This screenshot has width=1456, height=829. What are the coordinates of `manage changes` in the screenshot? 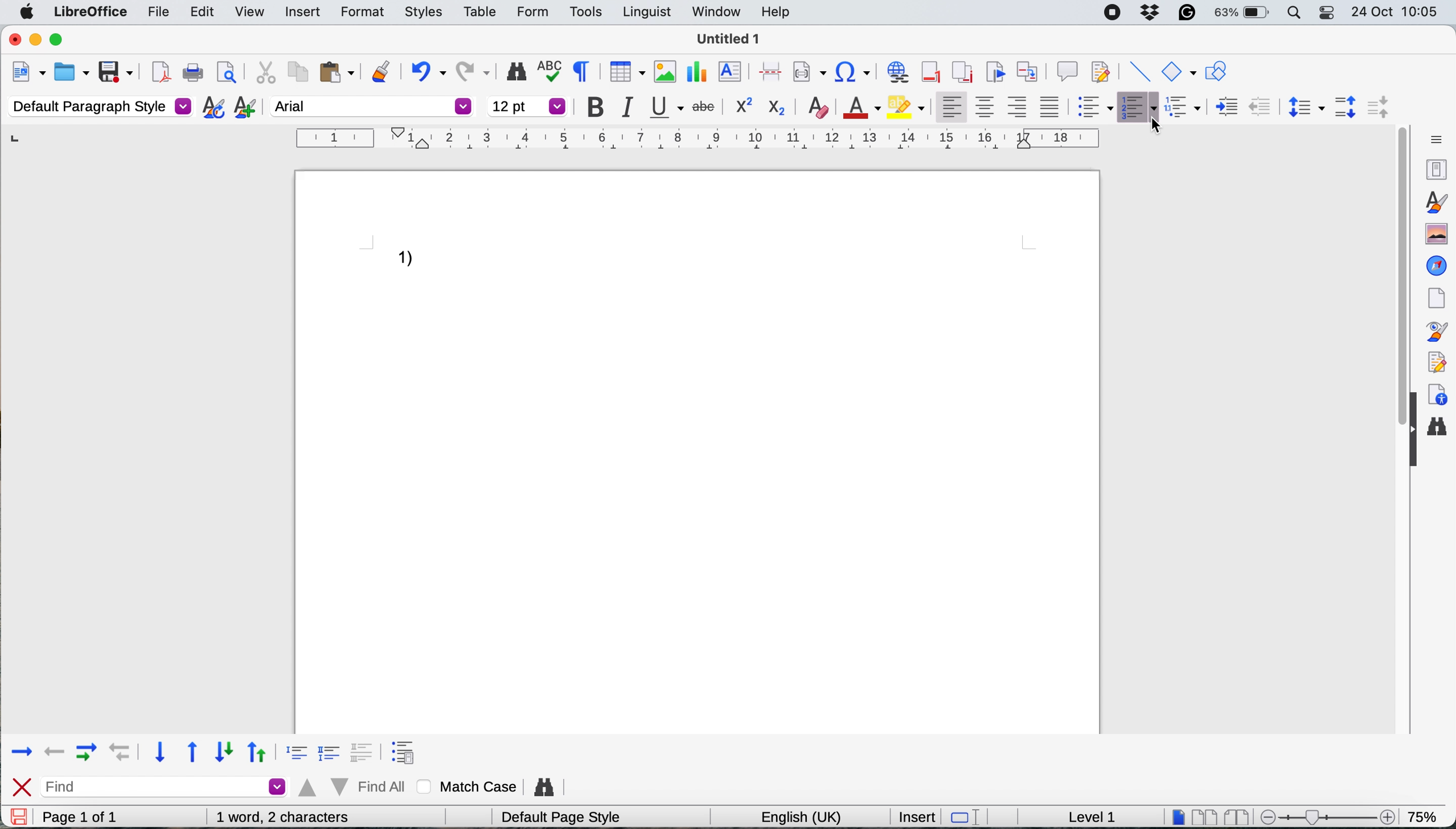 It's located at (1433, 361).